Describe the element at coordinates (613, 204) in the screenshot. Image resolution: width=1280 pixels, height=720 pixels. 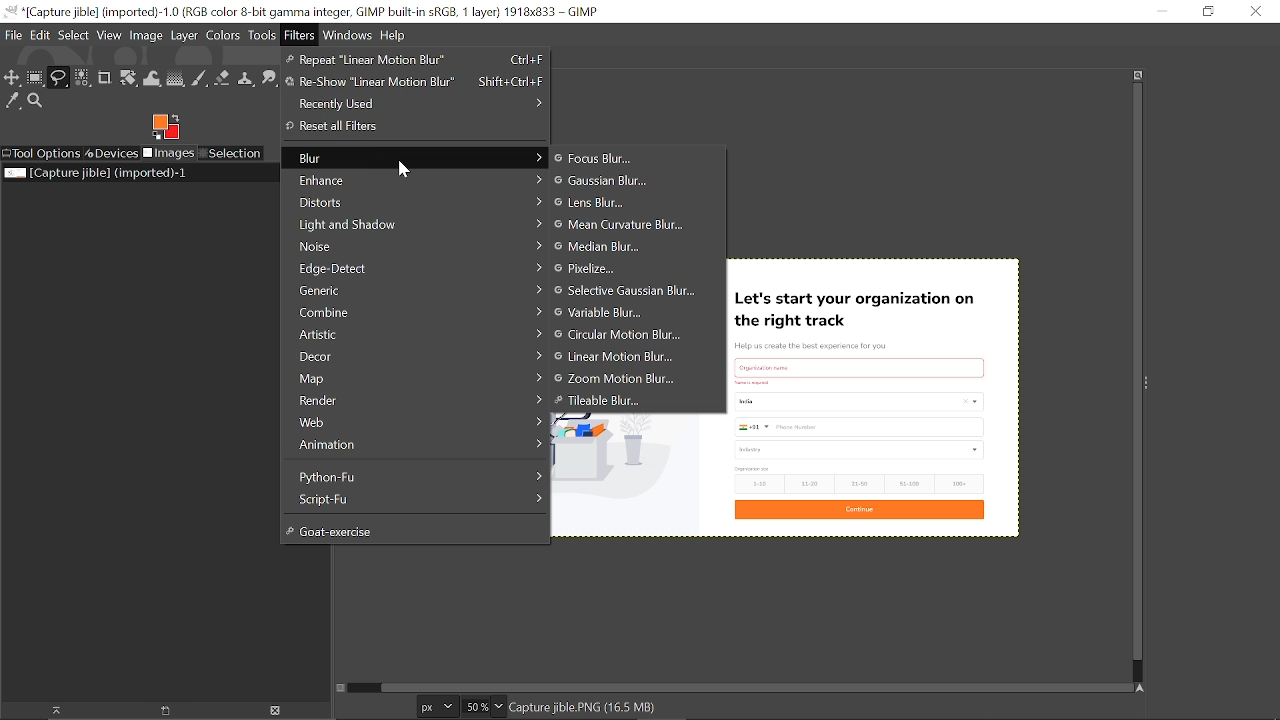
I see `Lens blur` at that location.